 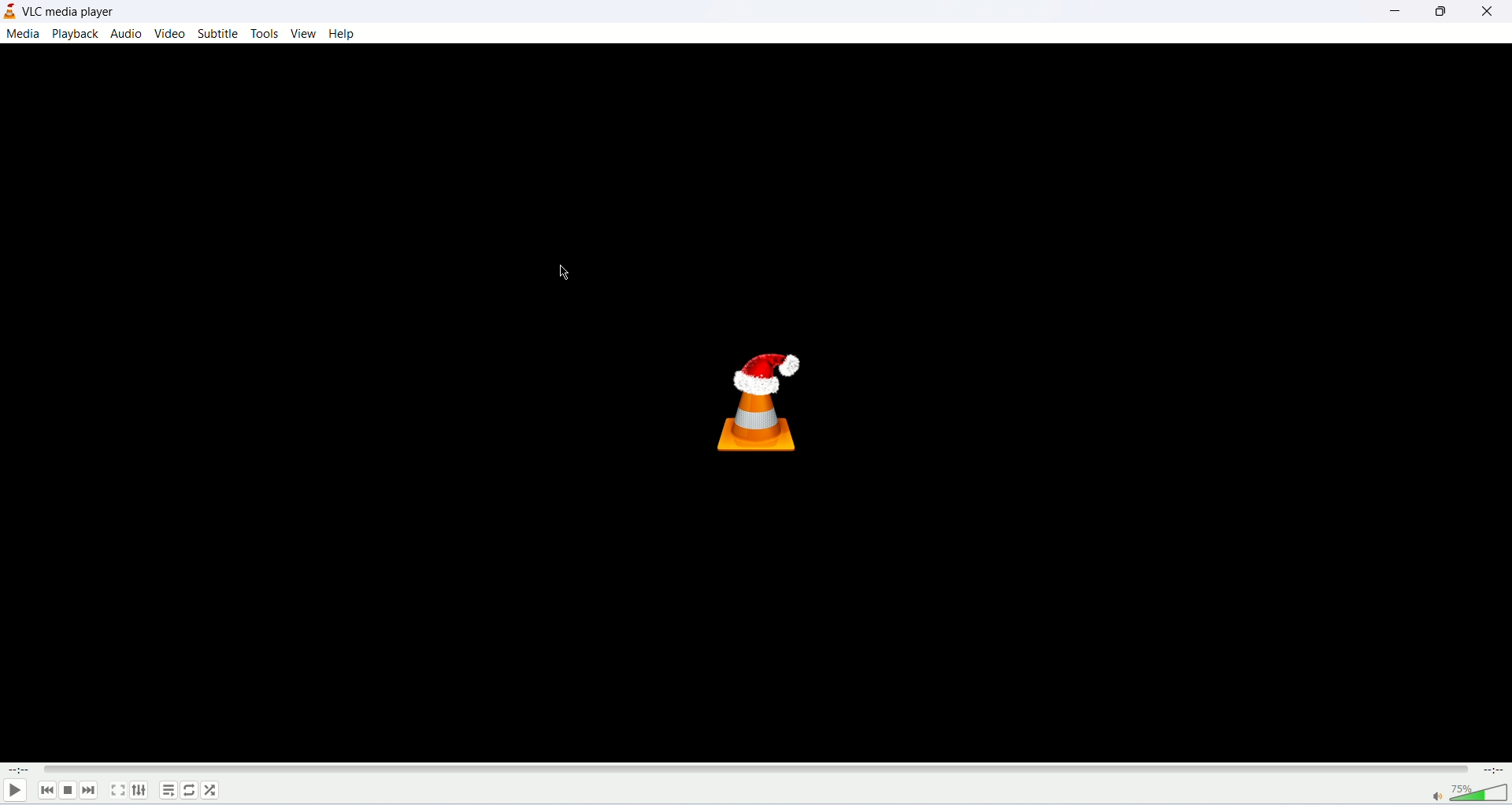 What do you see at coordinates (66, 12) in the screenshot?
I see `vlc media player` at bounding box center [66, 12].